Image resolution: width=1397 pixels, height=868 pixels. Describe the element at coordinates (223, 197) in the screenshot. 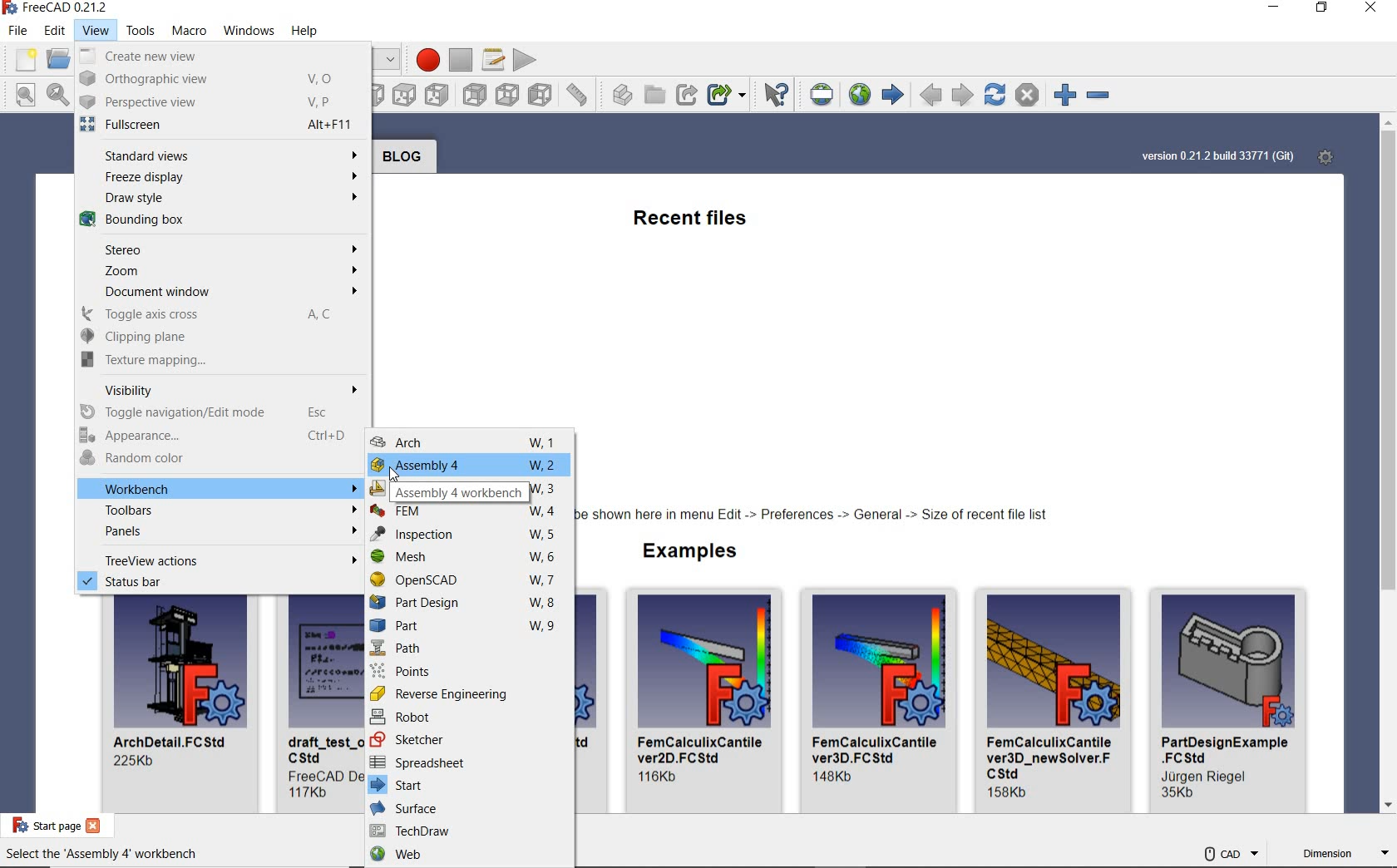

I see `draw style` at that location.